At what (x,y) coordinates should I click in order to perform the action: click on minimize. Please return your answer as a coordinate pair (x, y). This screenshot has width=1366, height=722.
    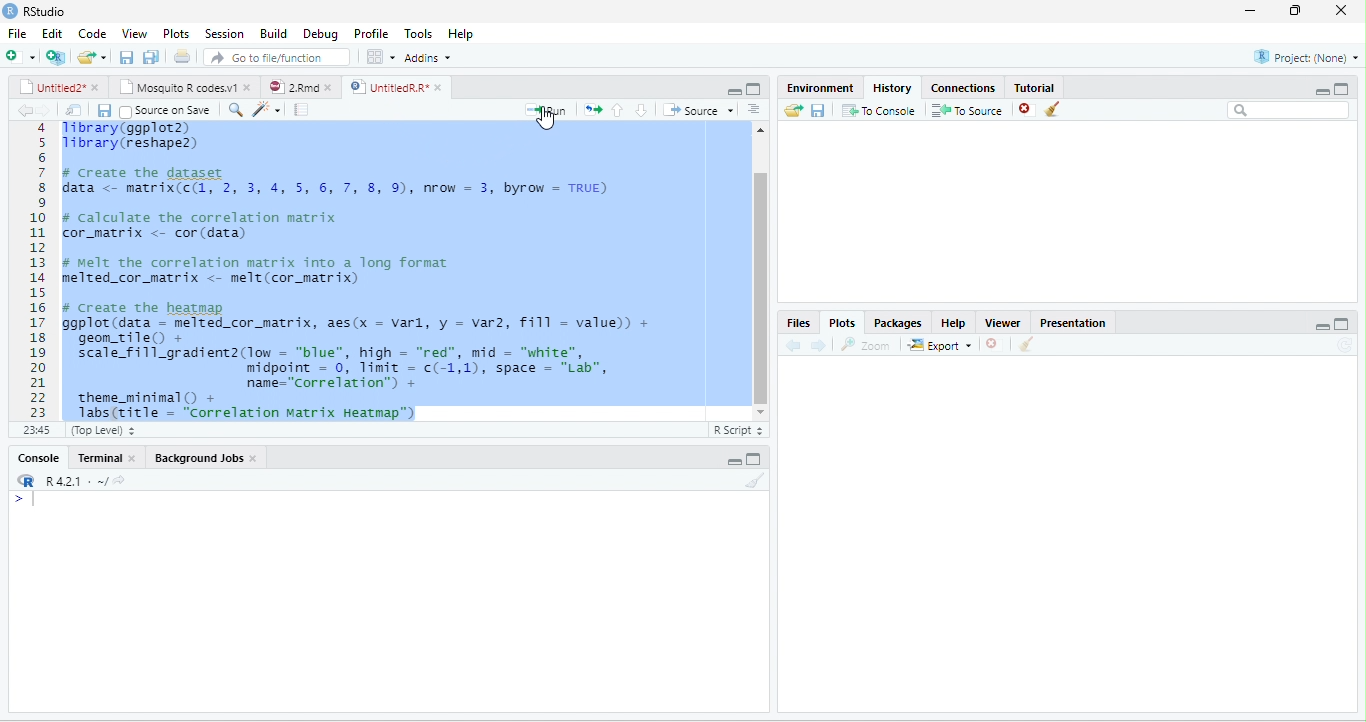
    Looking at the image, I should click on (1248, 11).